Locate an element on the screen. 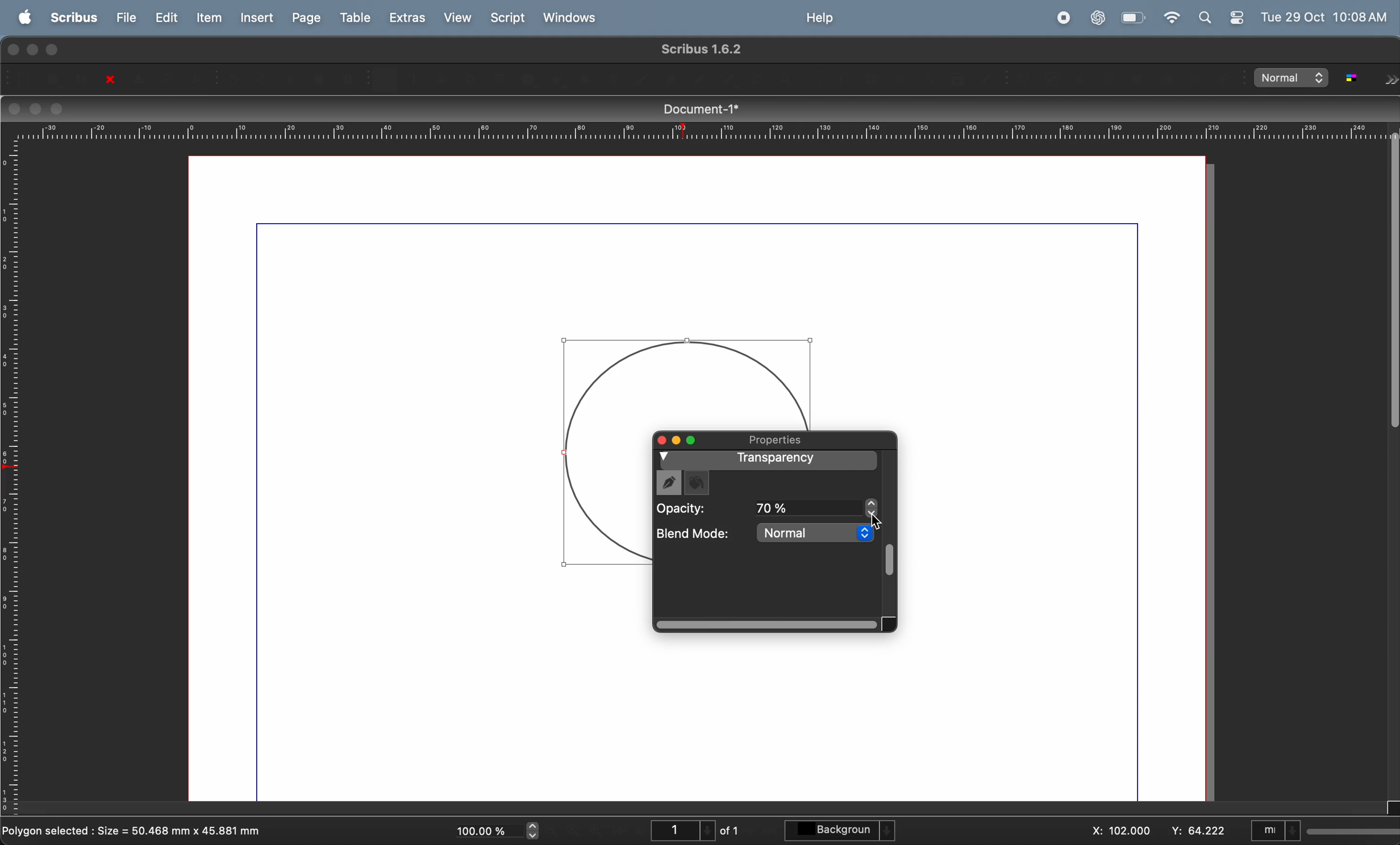 The image size is (1400, 845). maximize is located at coordinates (56, 50).